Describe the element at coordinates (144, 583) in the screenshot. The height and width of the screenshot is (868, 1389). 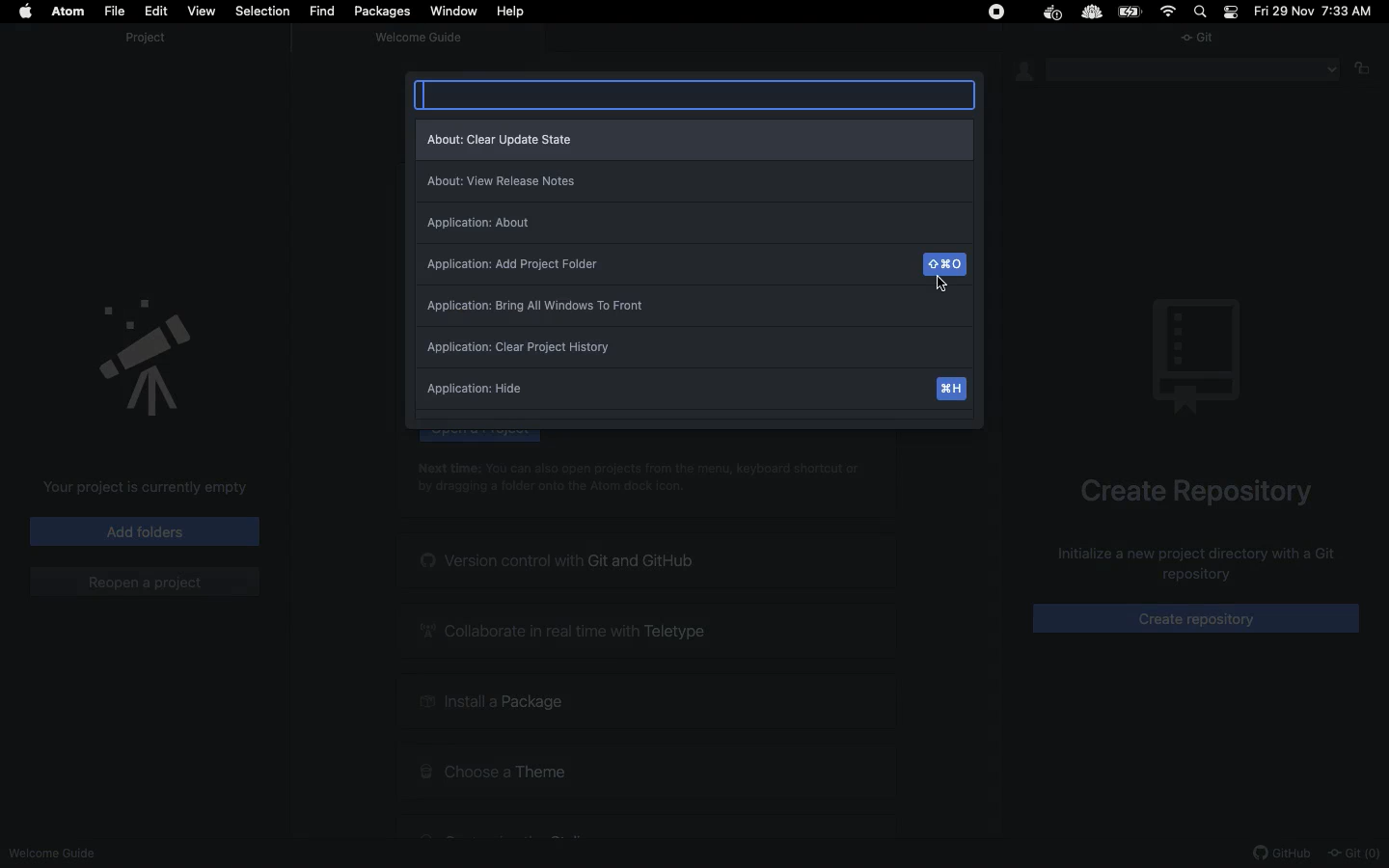
I see `Reopen a project ` at that location.